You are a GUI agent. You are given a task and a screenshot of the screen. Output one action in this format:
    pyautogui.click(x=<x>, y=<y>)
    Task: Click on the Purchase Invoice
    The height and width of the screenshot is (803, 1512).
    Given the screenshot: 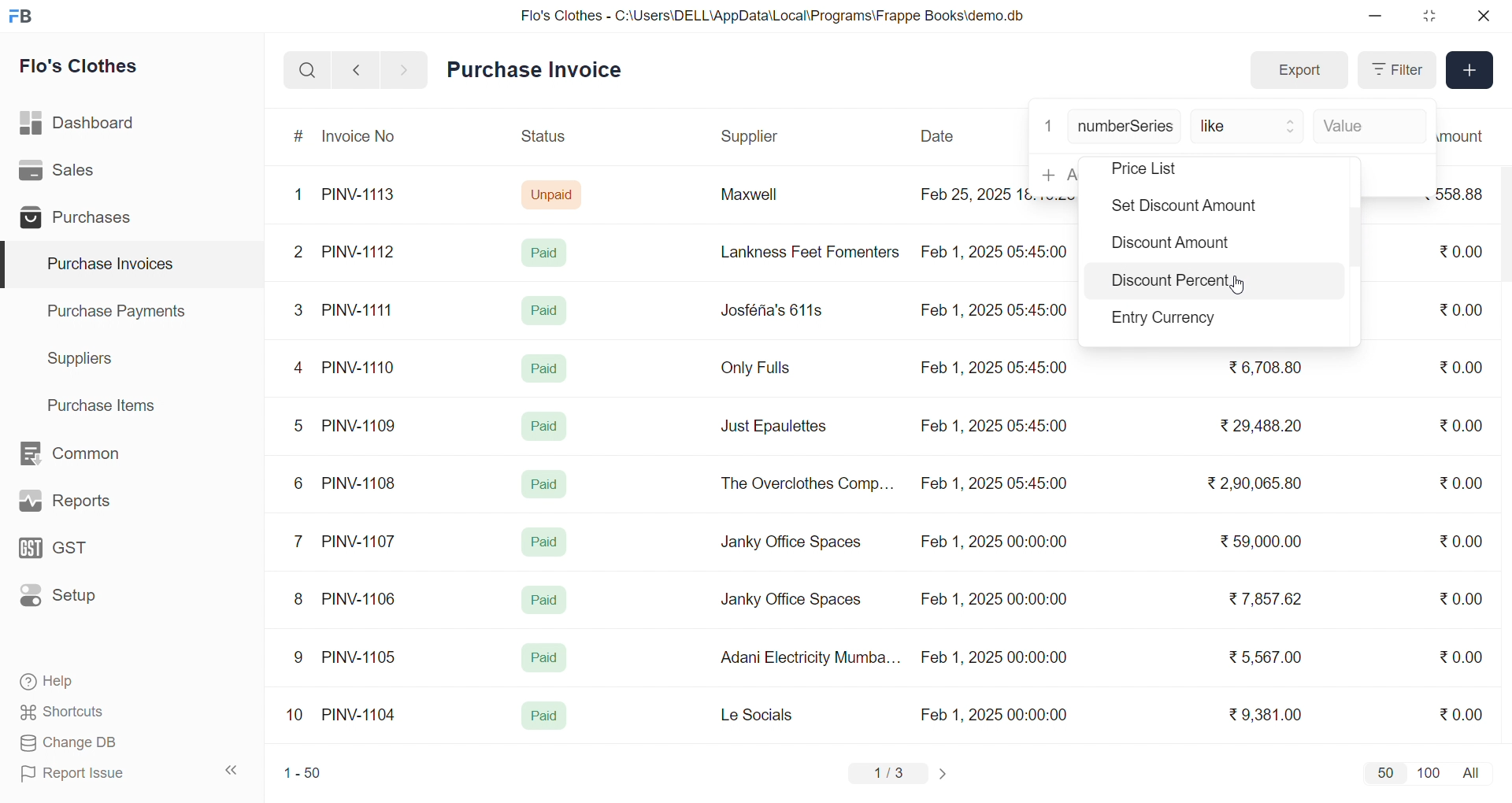 What is the action you would take?
    pyautogui.click(x=539, y=70)
    